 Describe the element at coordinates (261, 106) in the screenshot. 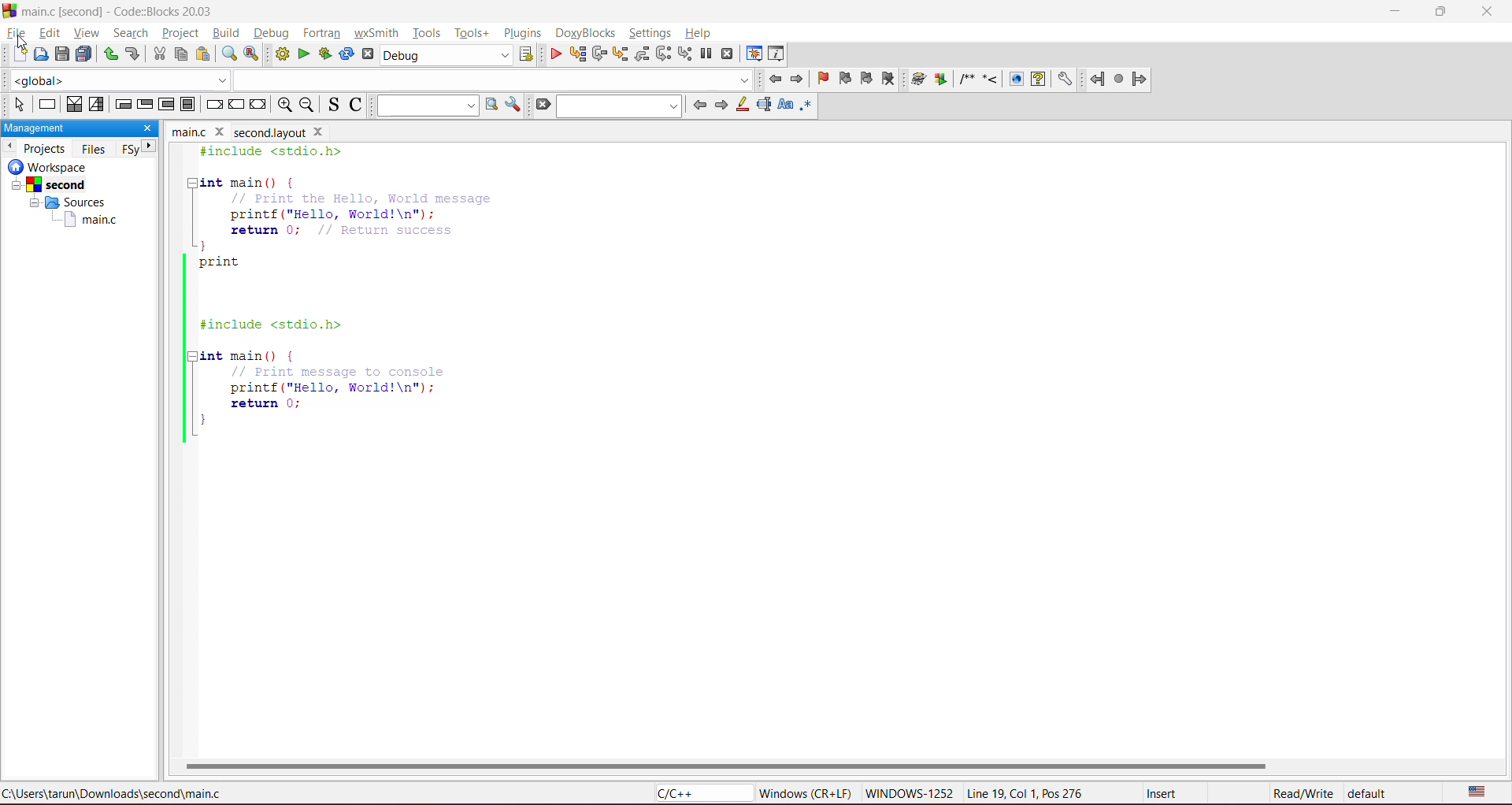

I see `return instruction` at that location.